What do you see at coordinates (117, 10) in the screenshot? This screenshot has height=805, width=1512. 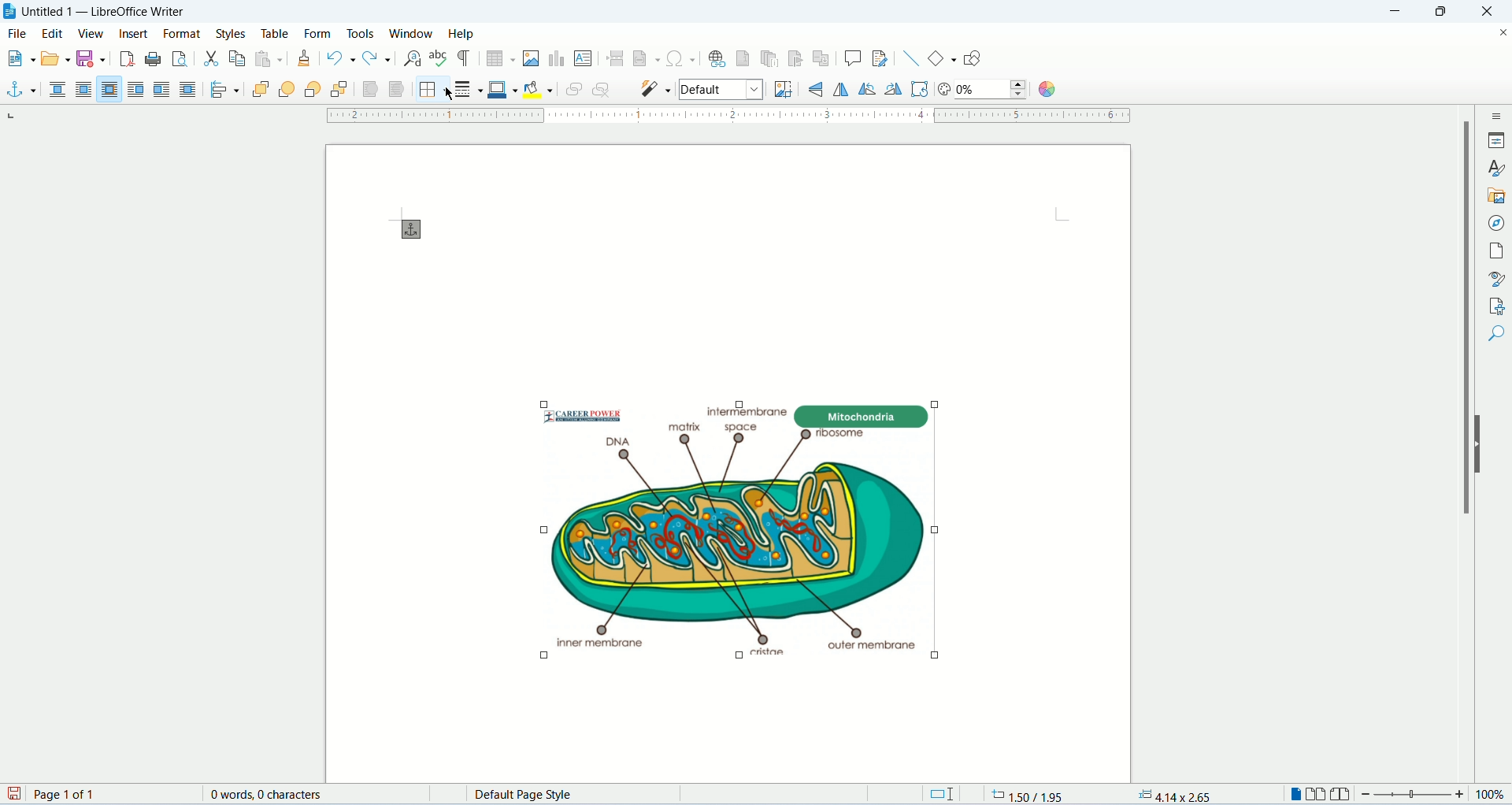 I see `Untitled 1 - LibreOffice Writer` at bounding box center [117, 10].